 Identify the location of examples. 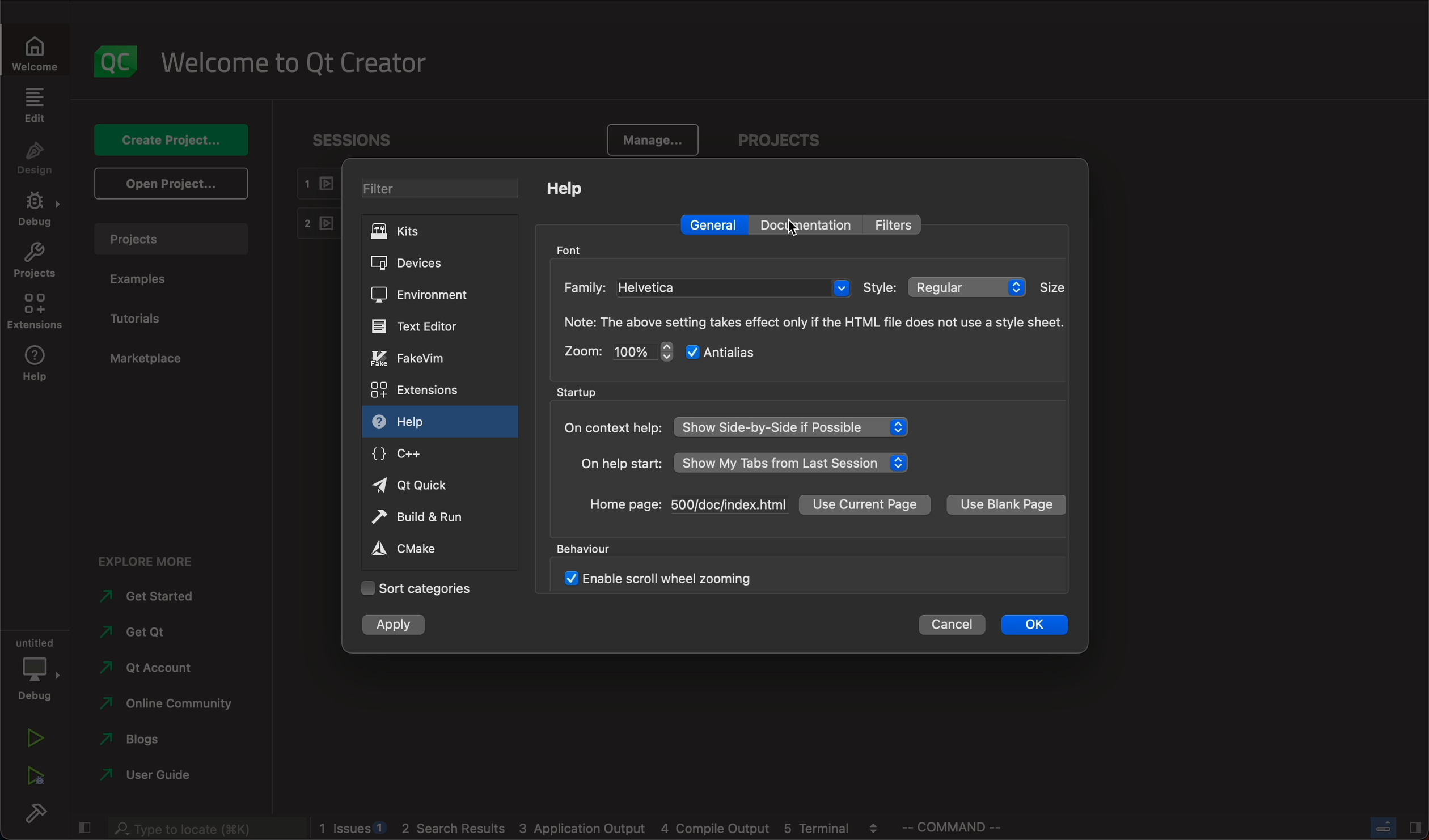
(157, 285).